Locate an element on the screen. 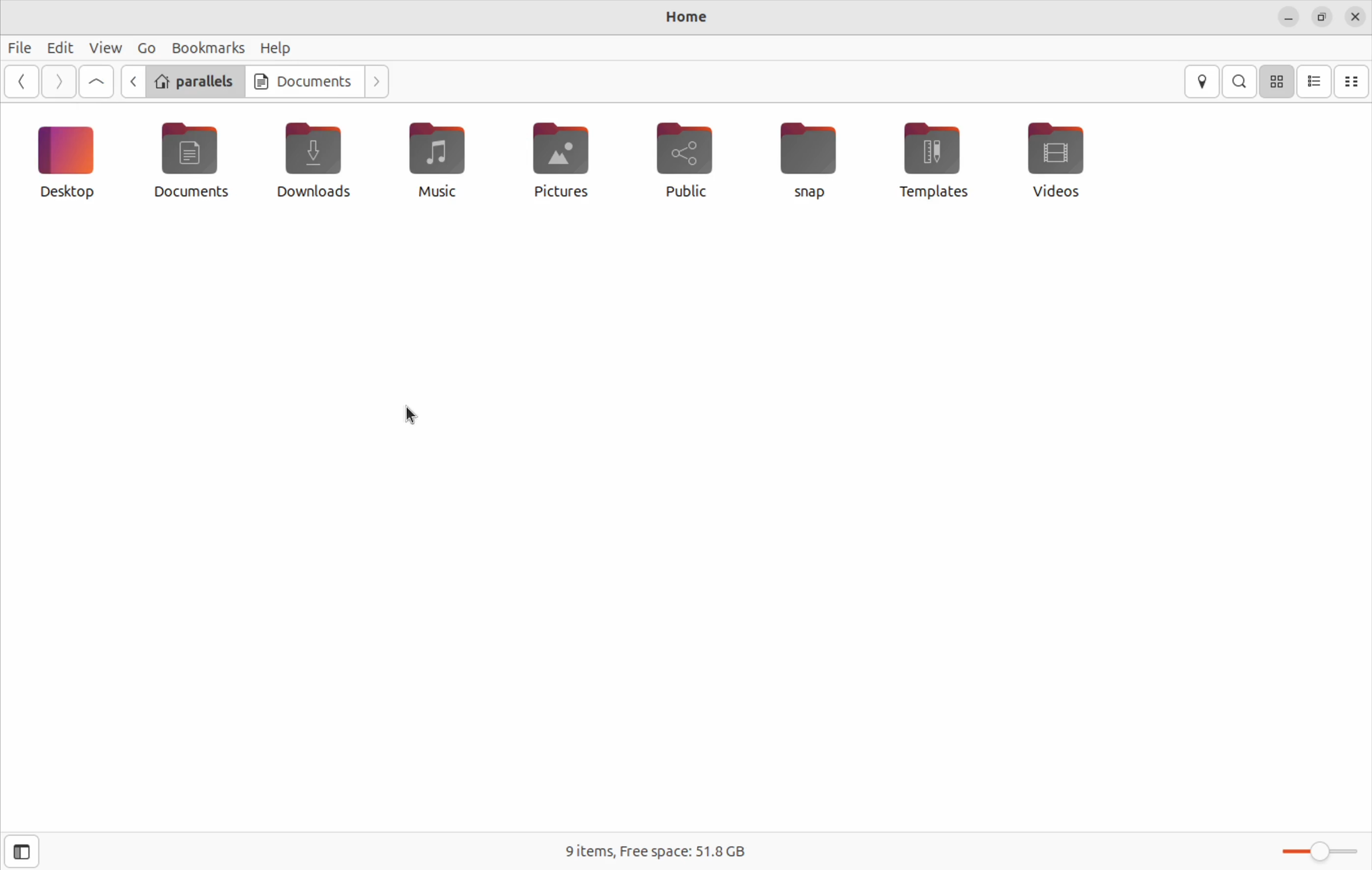 Image resolution: width=1372 pixels, height=870 pixels. toggle bar is located at coordinates (1314, 851).